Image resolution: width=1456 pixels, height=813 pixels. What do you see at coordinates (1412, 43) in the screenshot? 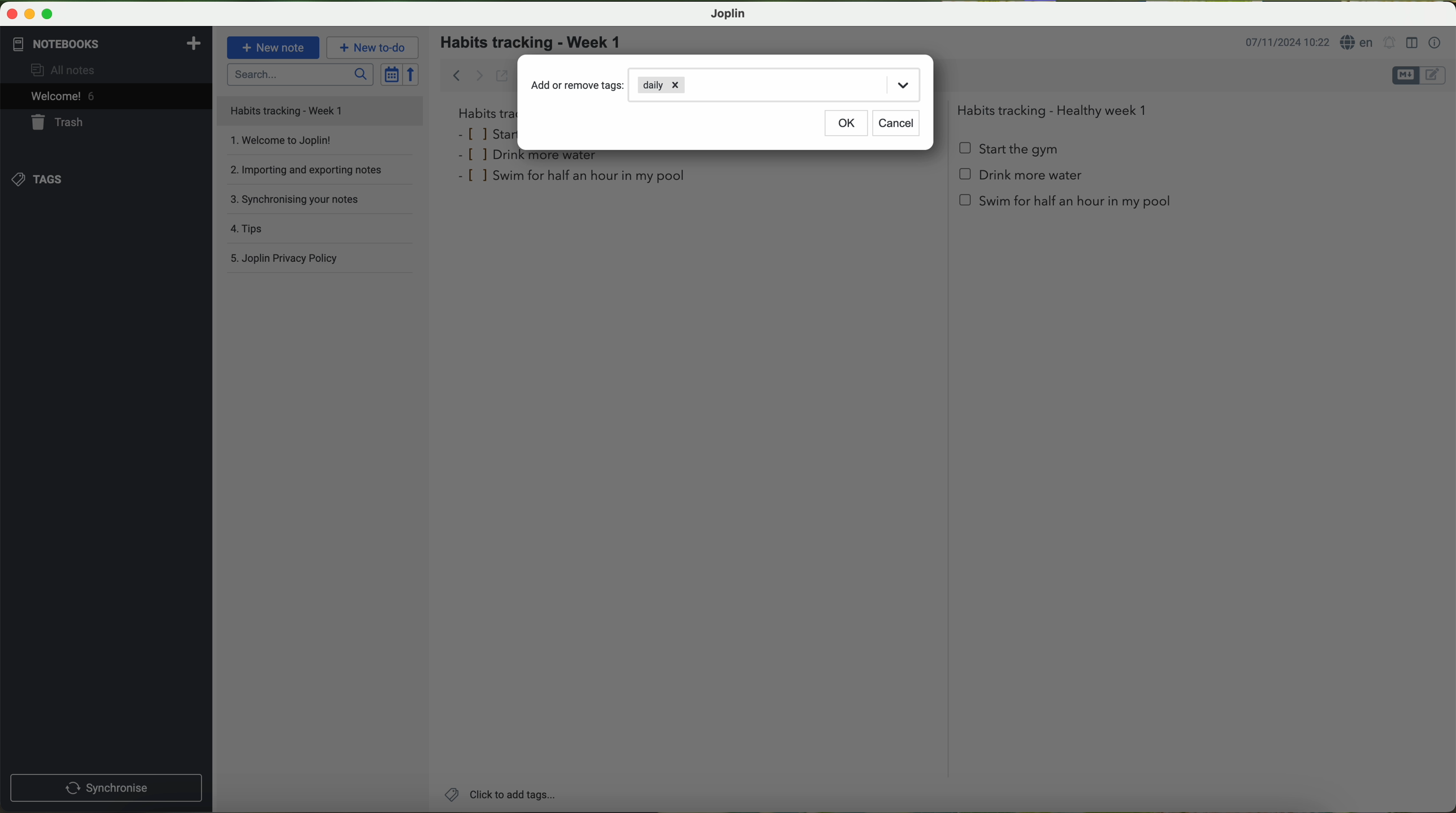
I see `toggle editor layout` at bounding box center [1412, 43].